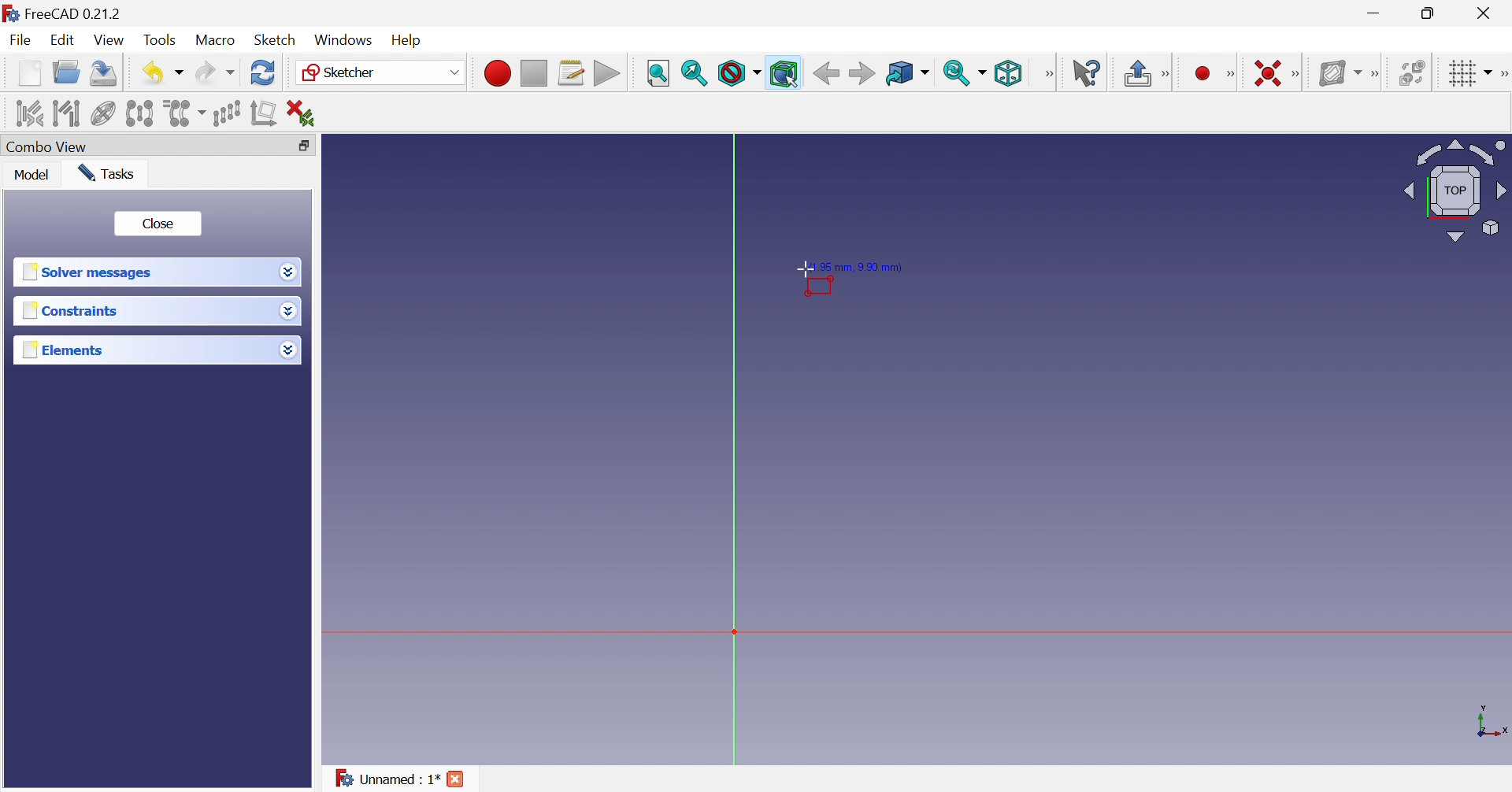 This screenshot has height=792, width=1512. What do you see at coordinates (45, 147) in the screenshot?
I see `Combo view` at bounding box center [45, 147].